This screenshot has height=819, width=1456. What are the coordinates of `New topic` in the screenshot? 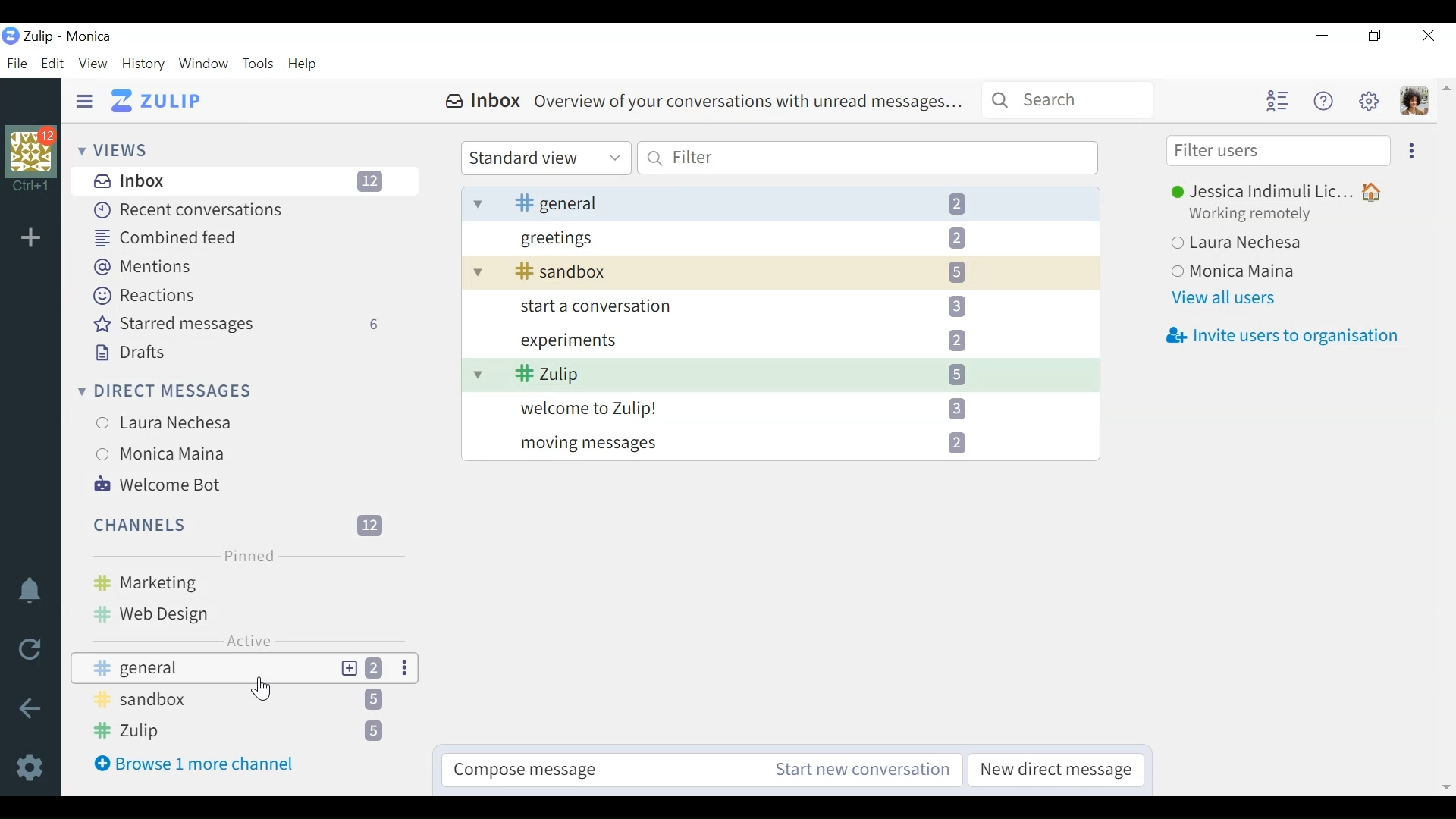 It's located at (349, 668).